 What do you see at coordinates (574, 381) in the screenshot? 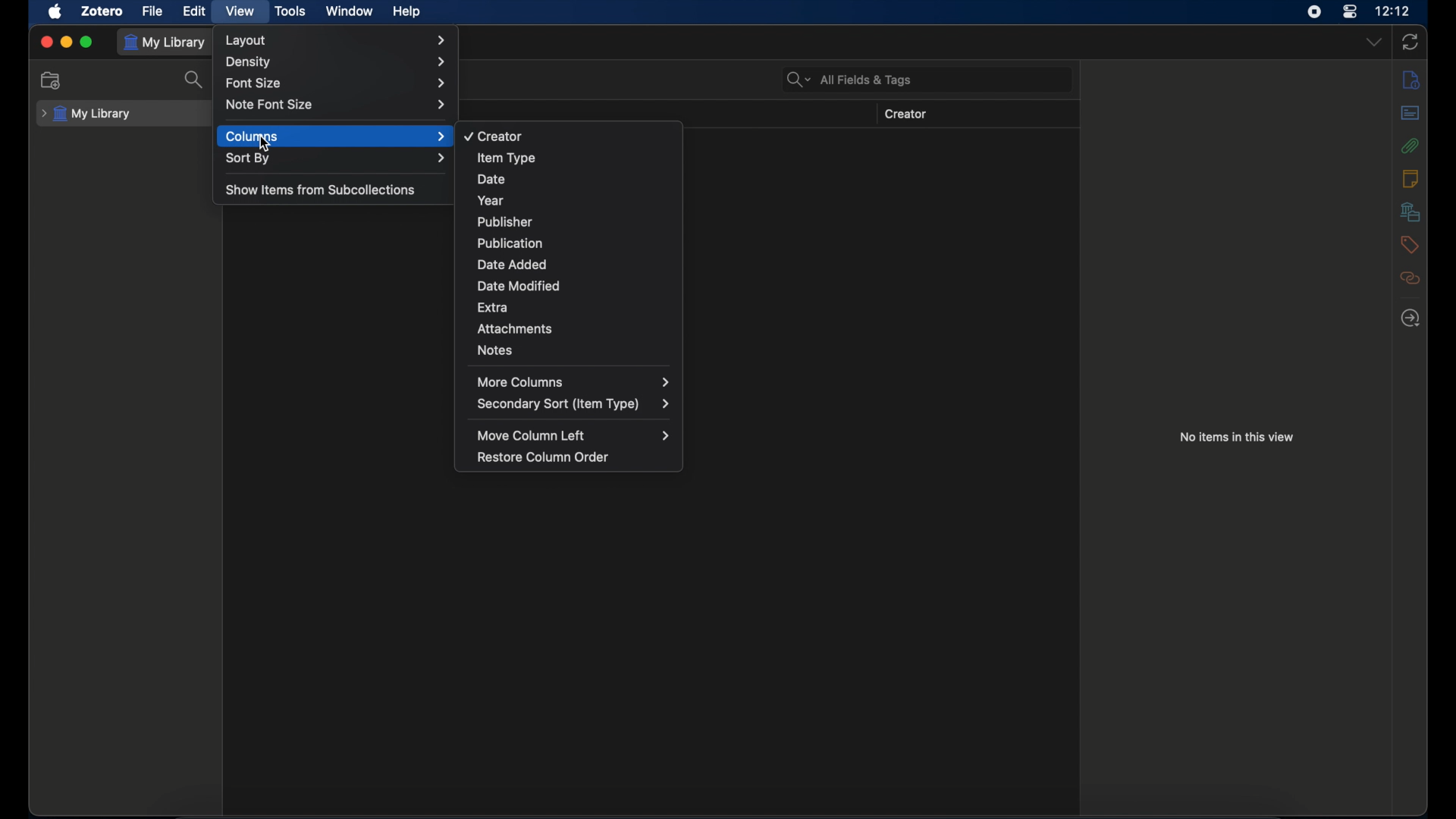
I see `more columns` at bounding box center [574, 381].